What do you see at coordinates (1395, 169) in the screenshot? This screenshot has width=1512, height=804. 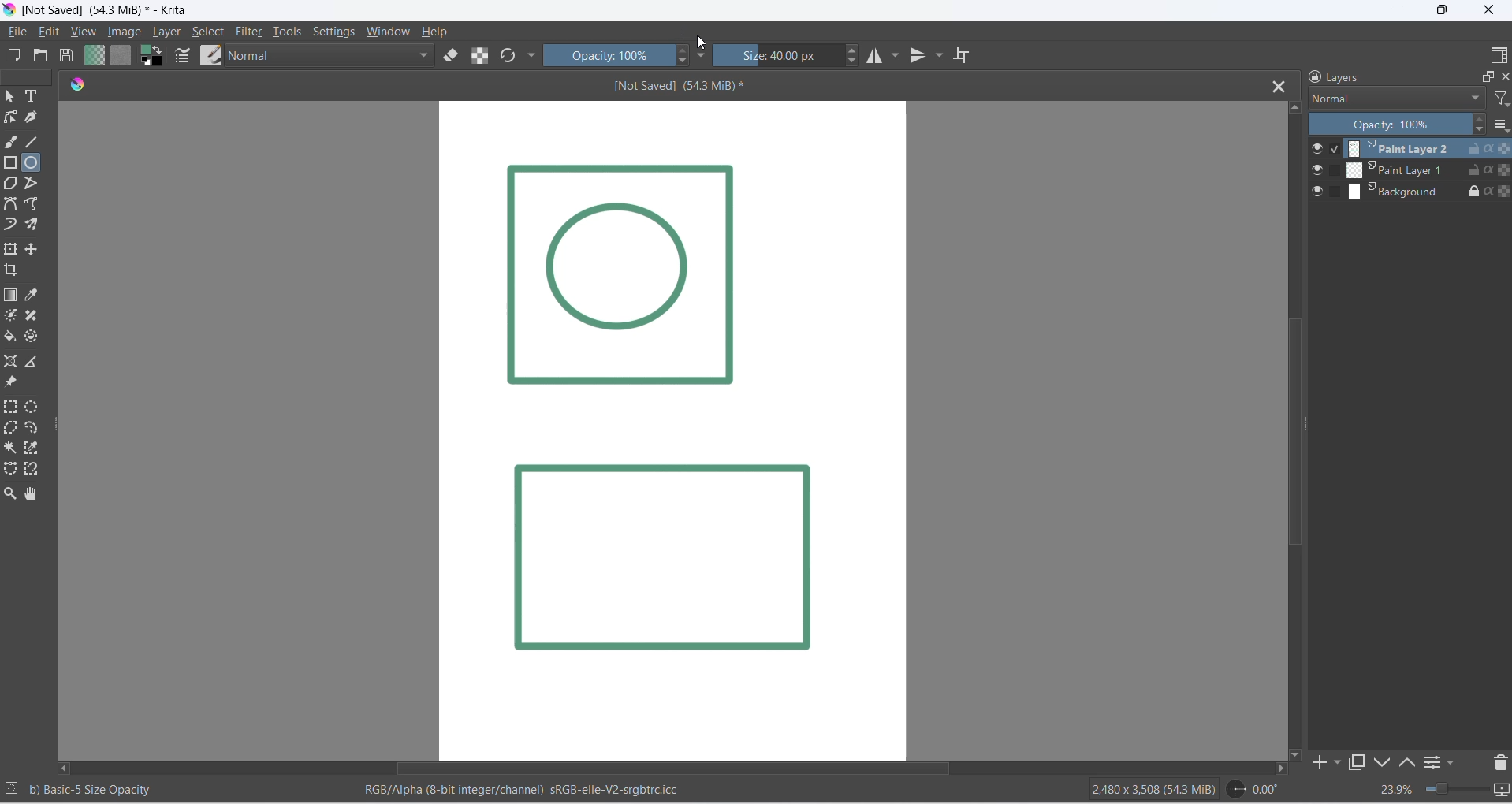 I see `paint layer 1` at bounding box center [1395, 169].